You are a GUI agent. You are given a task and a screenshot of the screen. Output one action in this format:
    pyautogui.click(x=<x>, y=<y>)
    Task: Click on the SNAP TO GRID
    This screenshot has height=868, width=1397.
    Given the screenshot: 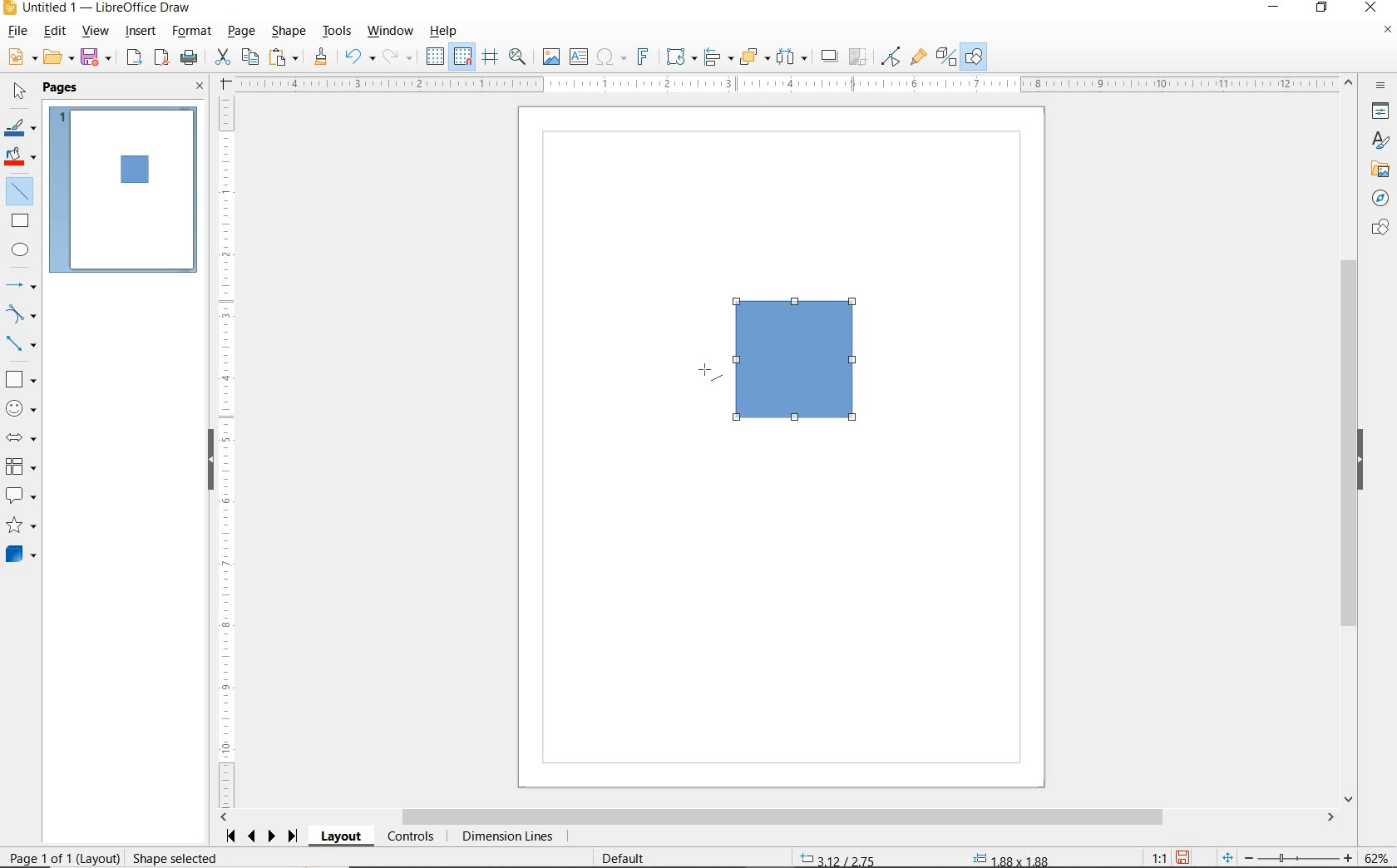 What is the action you would take?
    pyautogui.click(x=463, y=57)
    